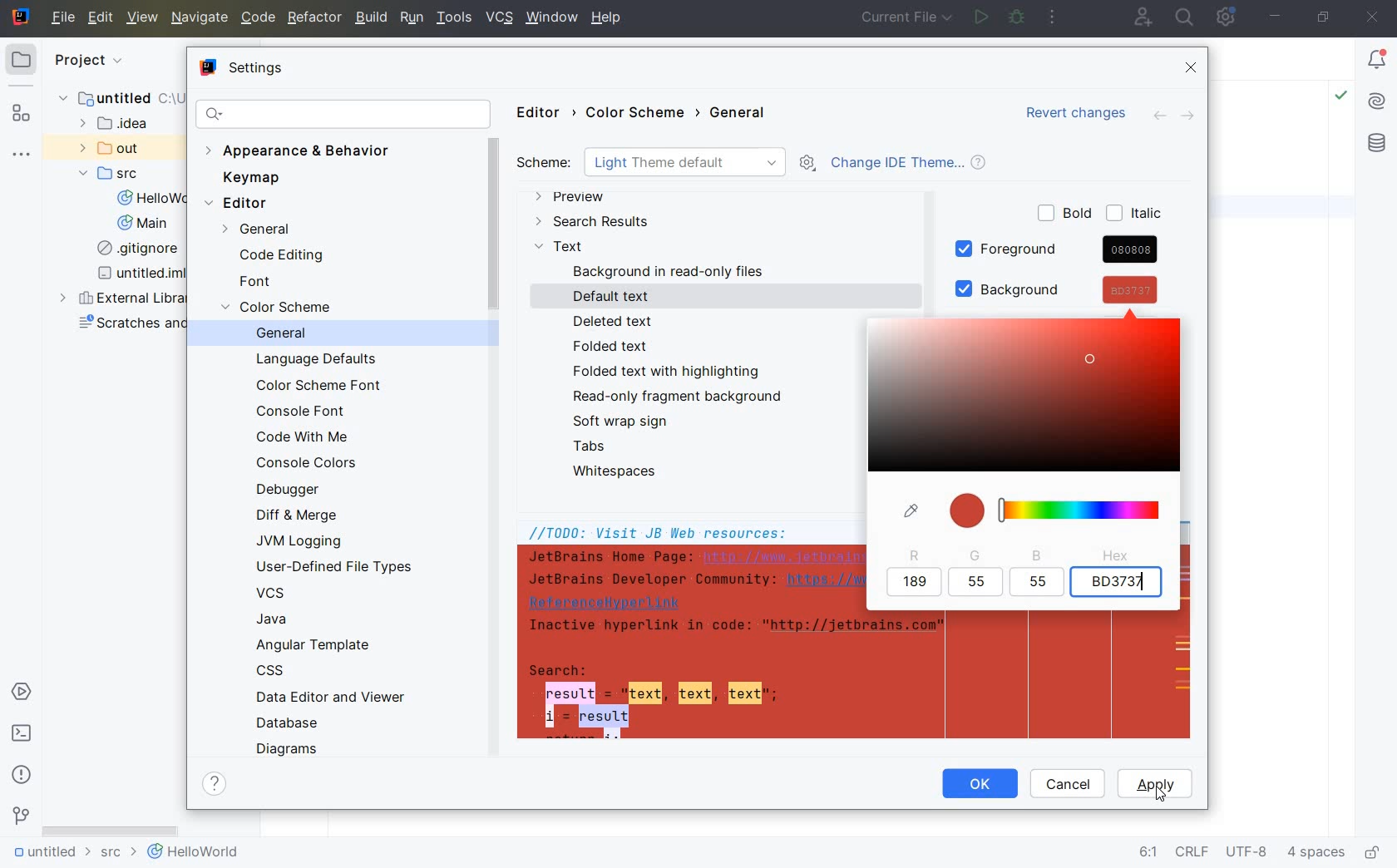  I want to click on BACK, so click(1153, 116).